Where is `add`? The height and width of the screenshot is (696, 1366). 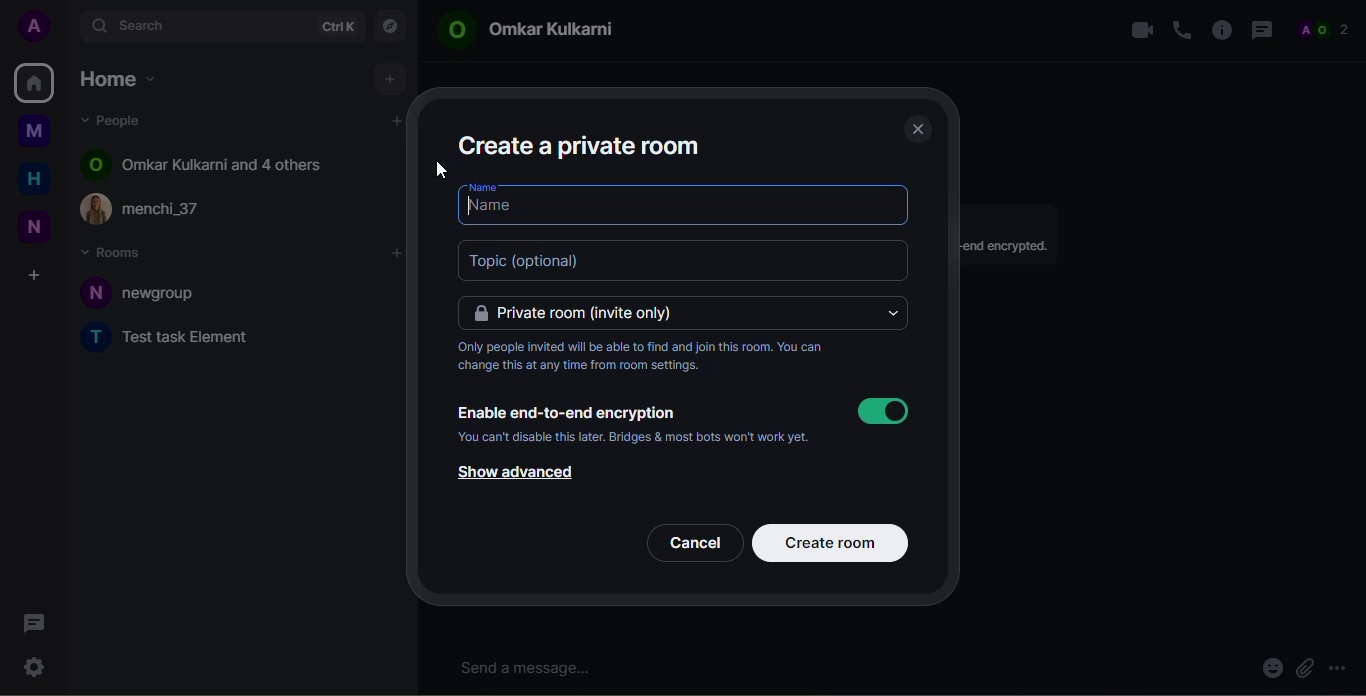 add is located at coordinates (398, 254).